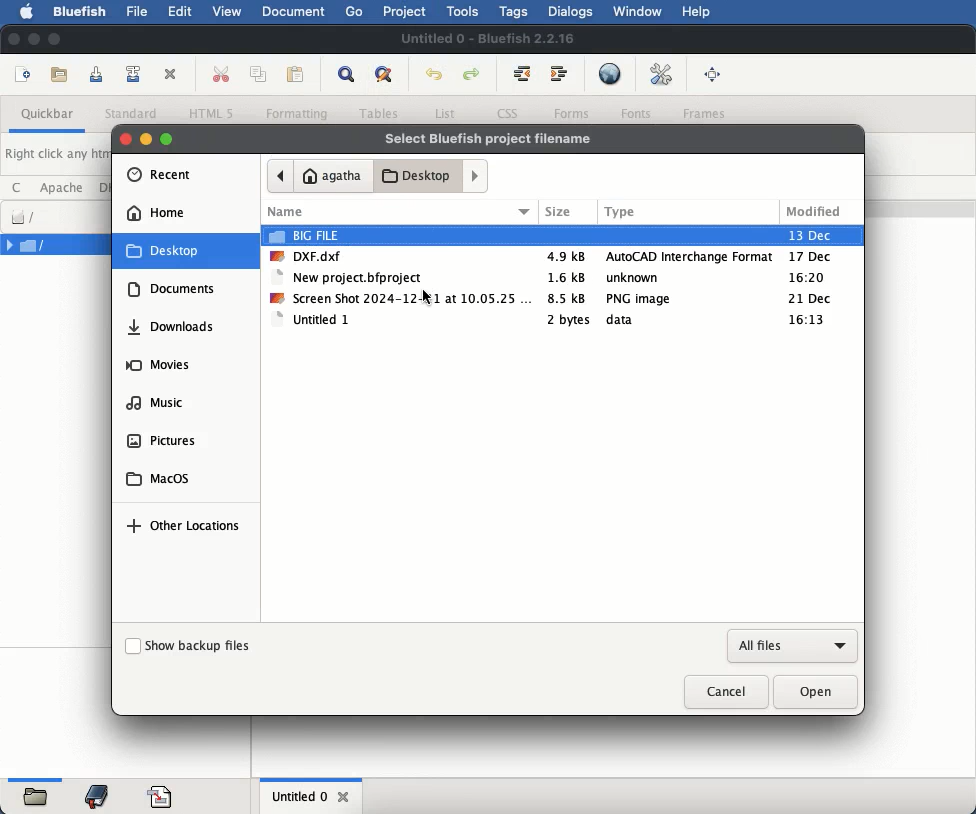 This screenshot has width=976, height=814. Describe the element at coordinates (261, 75) in the screenshot. I see `copy` at that location.